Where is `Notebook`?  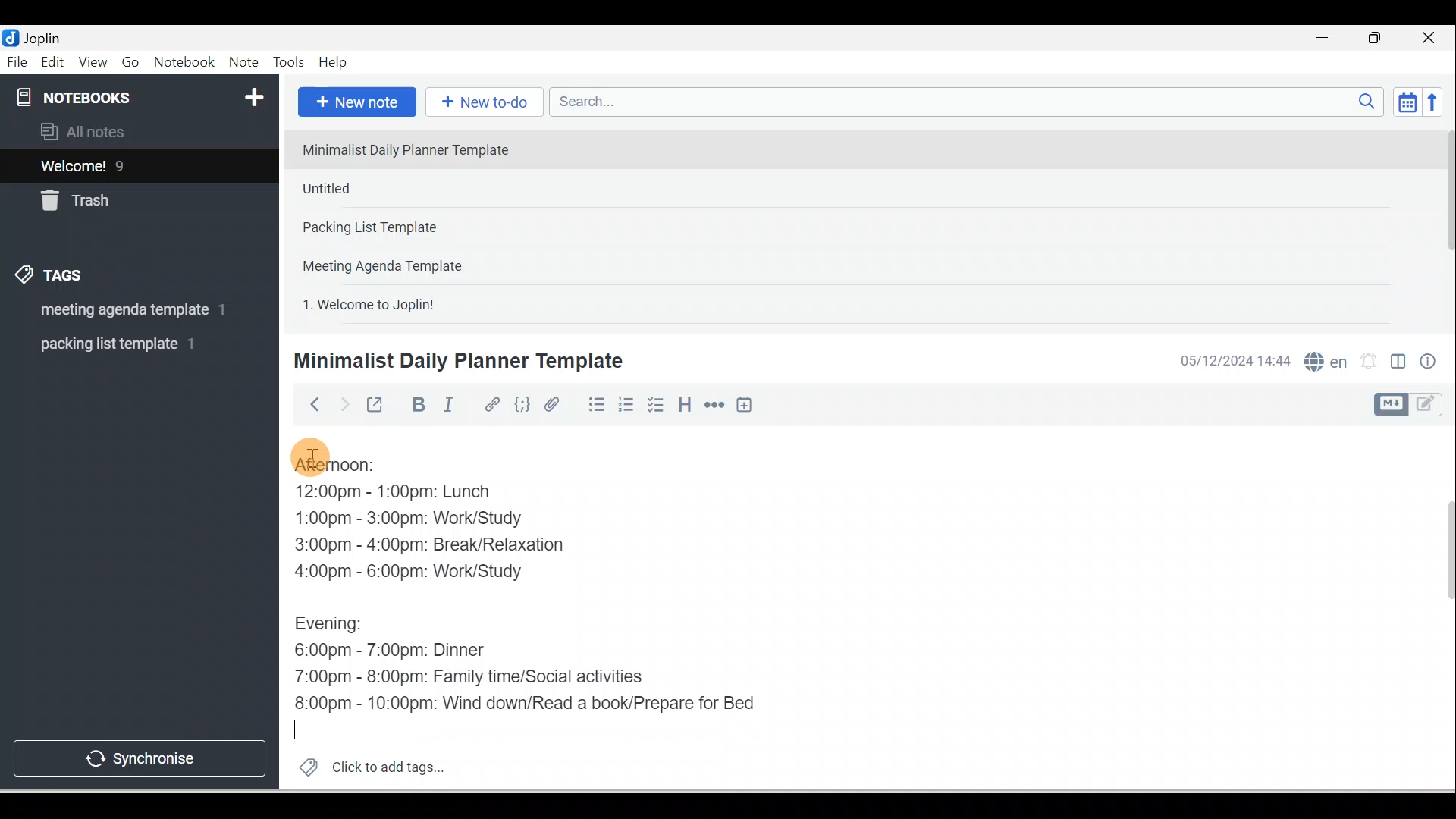
Notebook is located at coordinates (184, 63).